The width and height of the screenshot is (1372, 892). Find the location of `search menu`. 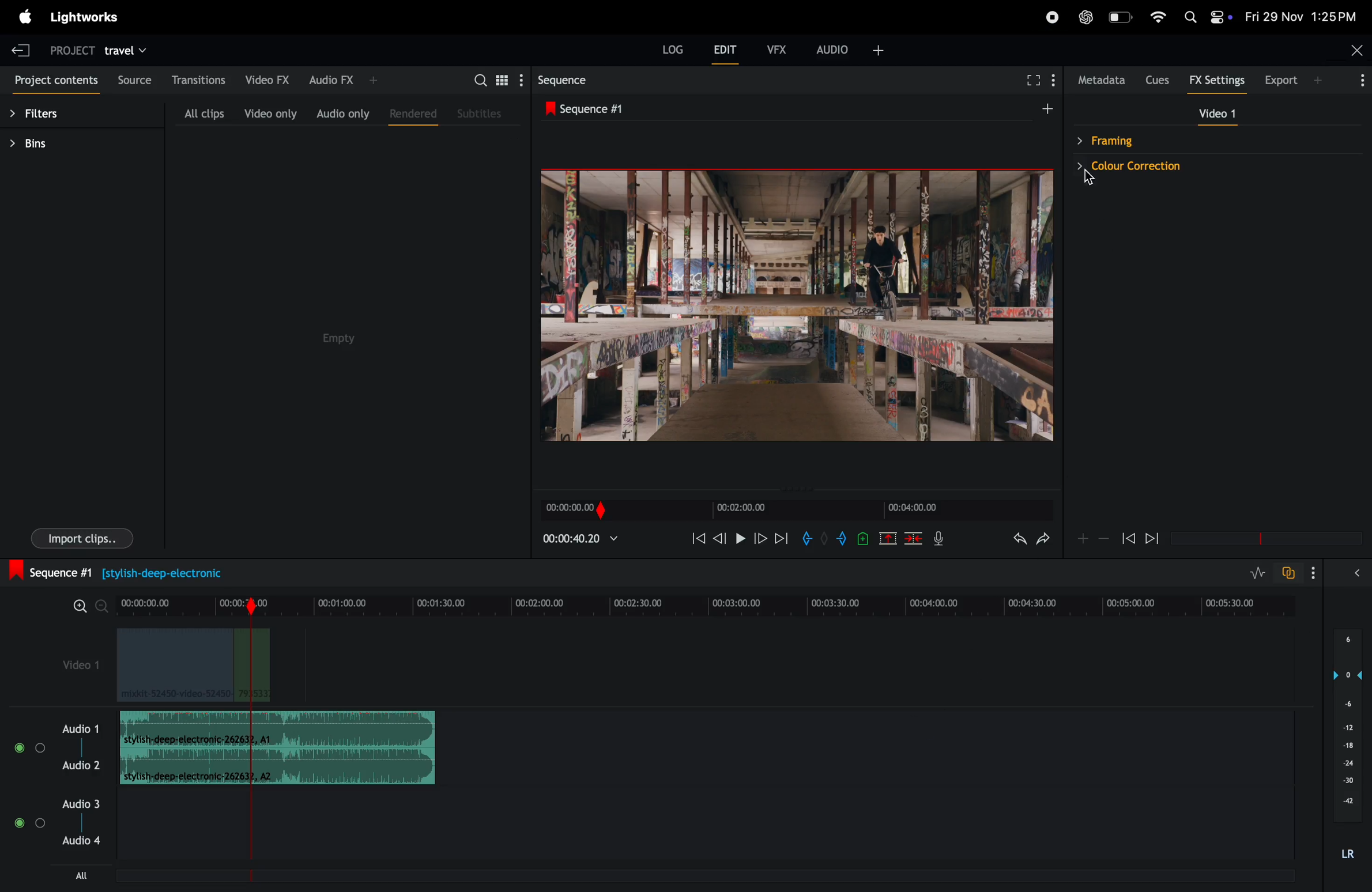

search menu is located at coordinates (1053, 76).